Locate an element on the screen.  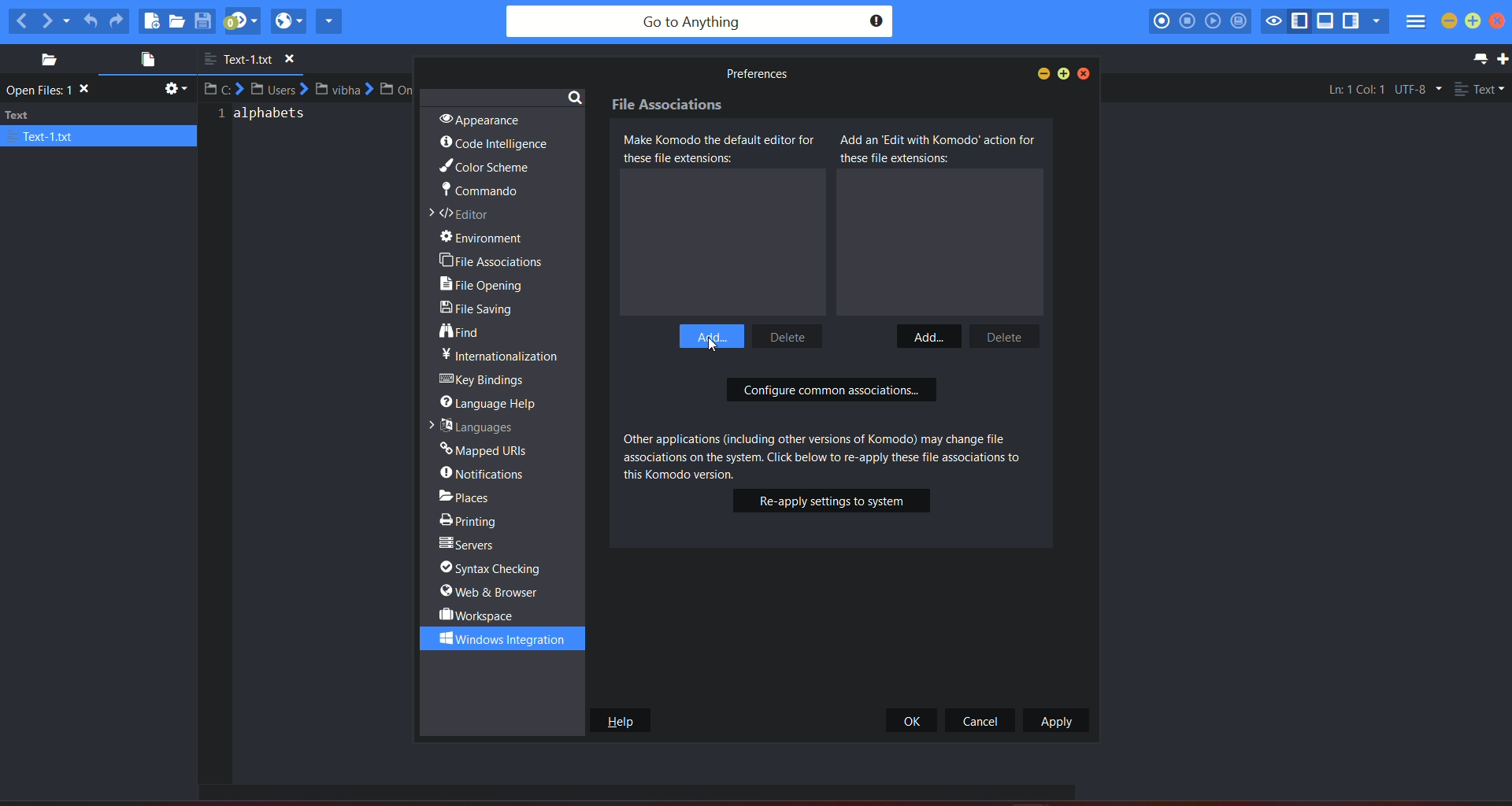
places is located at coordinates (43, 60).